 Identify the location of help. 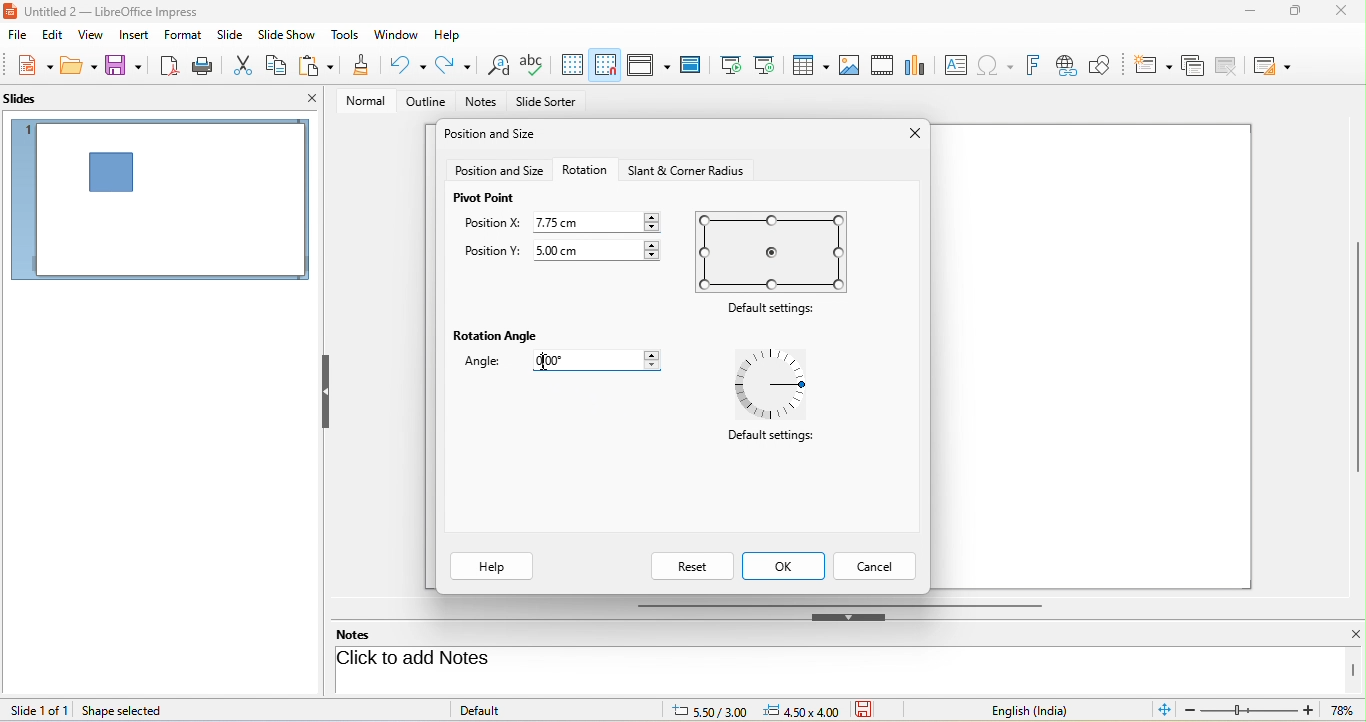
(449, 33).